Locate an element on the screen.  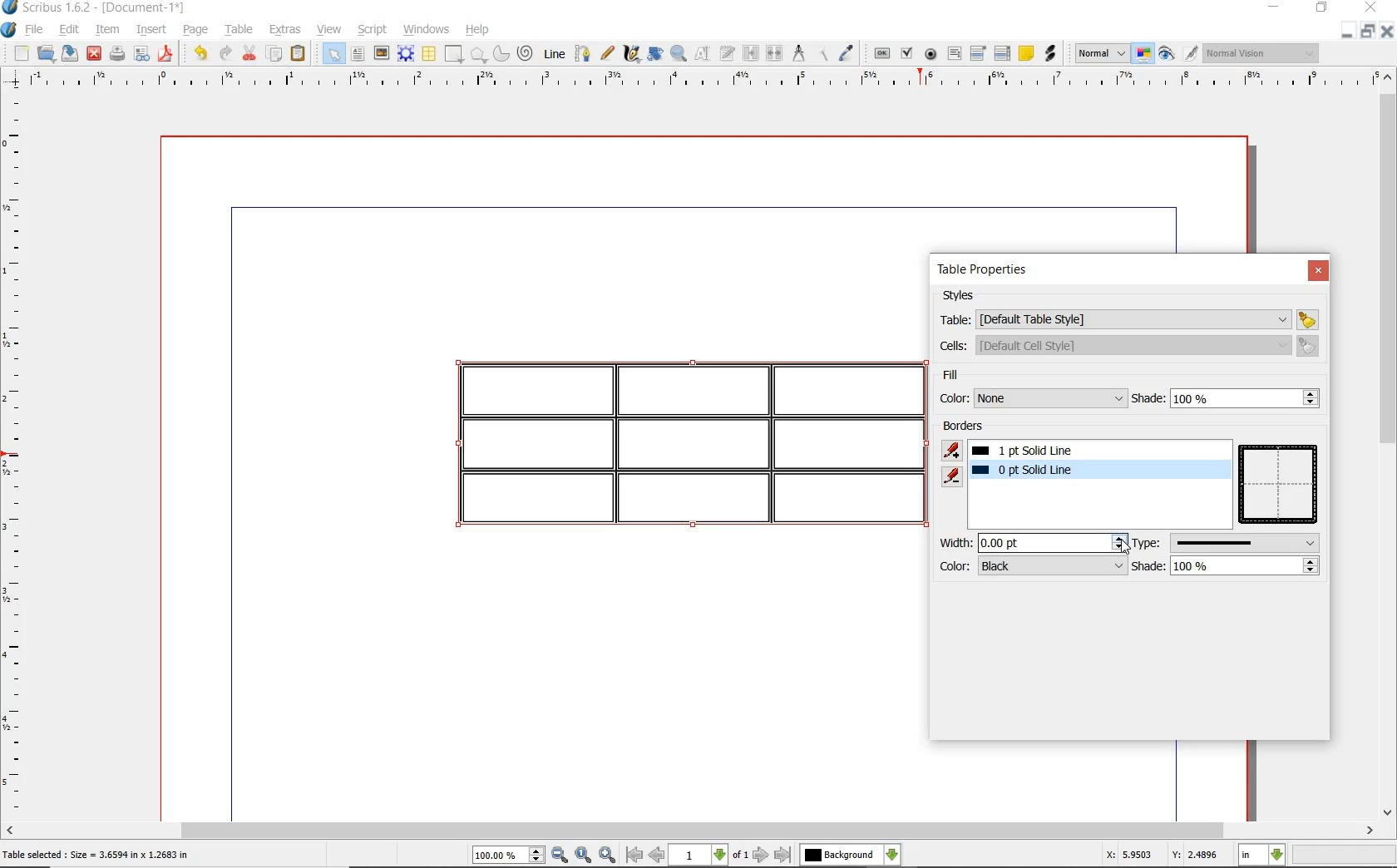
link text frame is located at coordinates (750, 53).